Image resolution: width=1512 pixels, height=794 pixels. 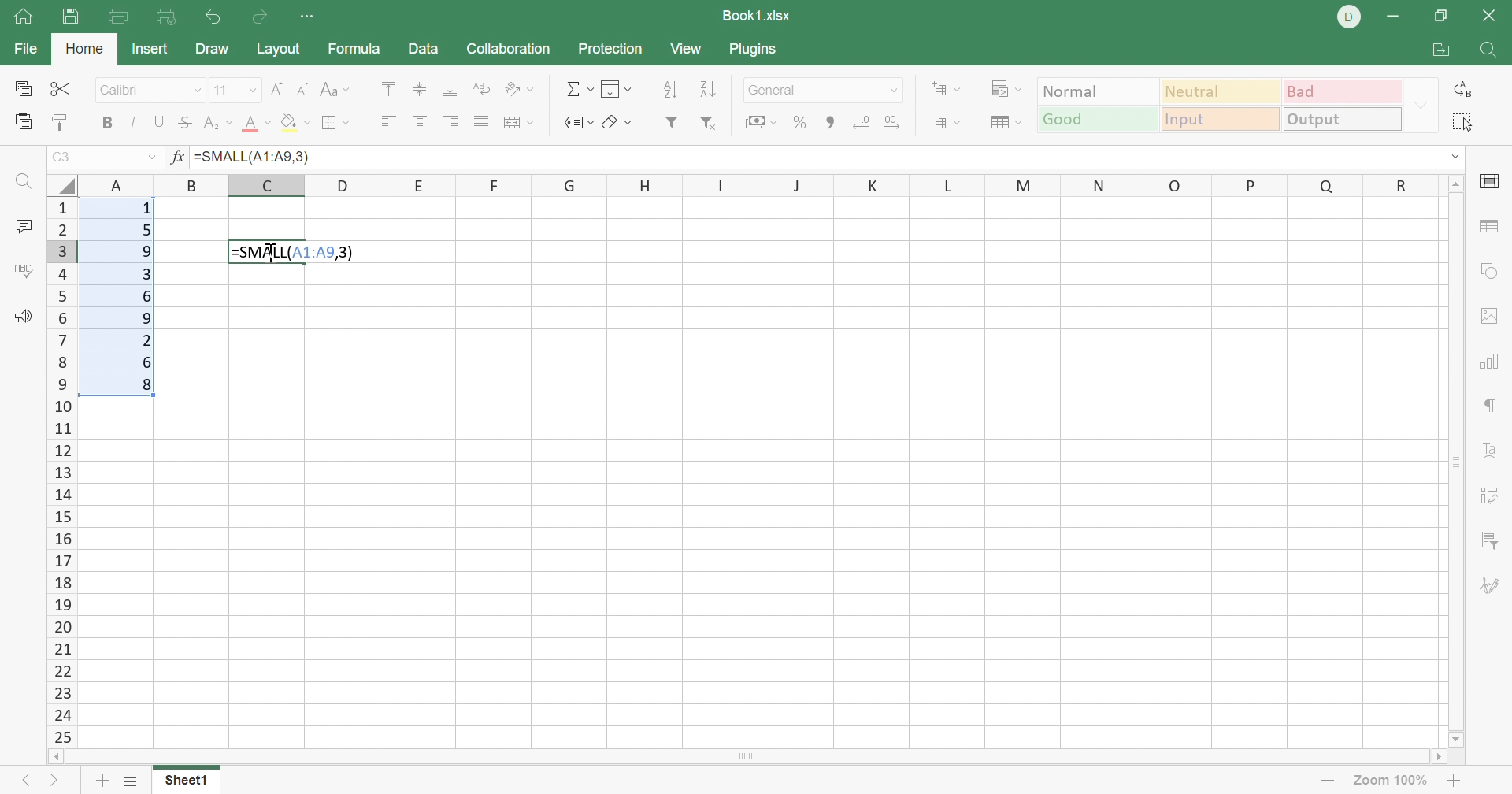 What do you see at coordinates (387, 87) in the screenshot?
I see `Align top` at bounding box center [387, 87].